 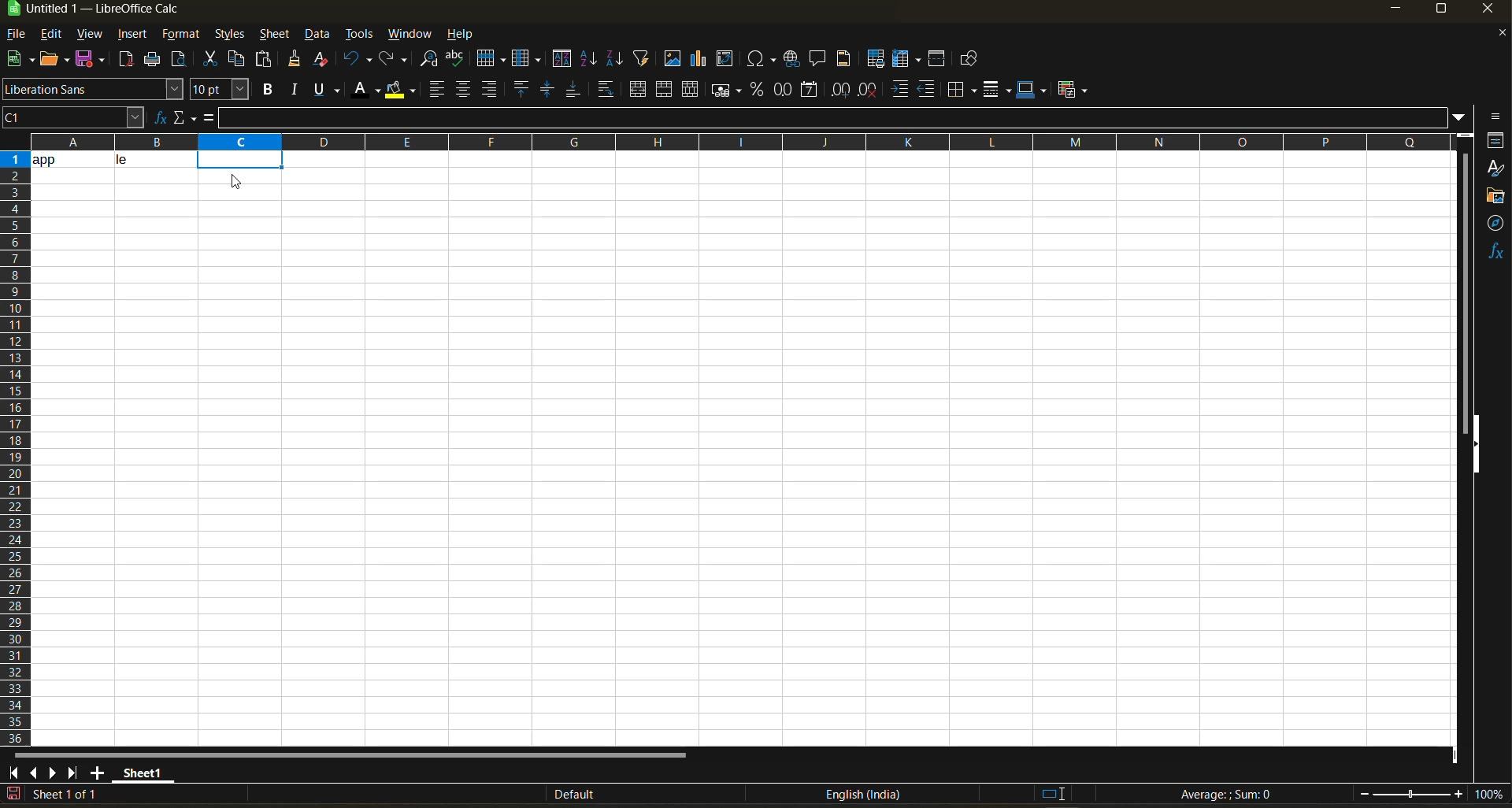 What do you see at coordinates (72, 117) in the screenshot?
I see `cell address` at bounding box center [72, 117].